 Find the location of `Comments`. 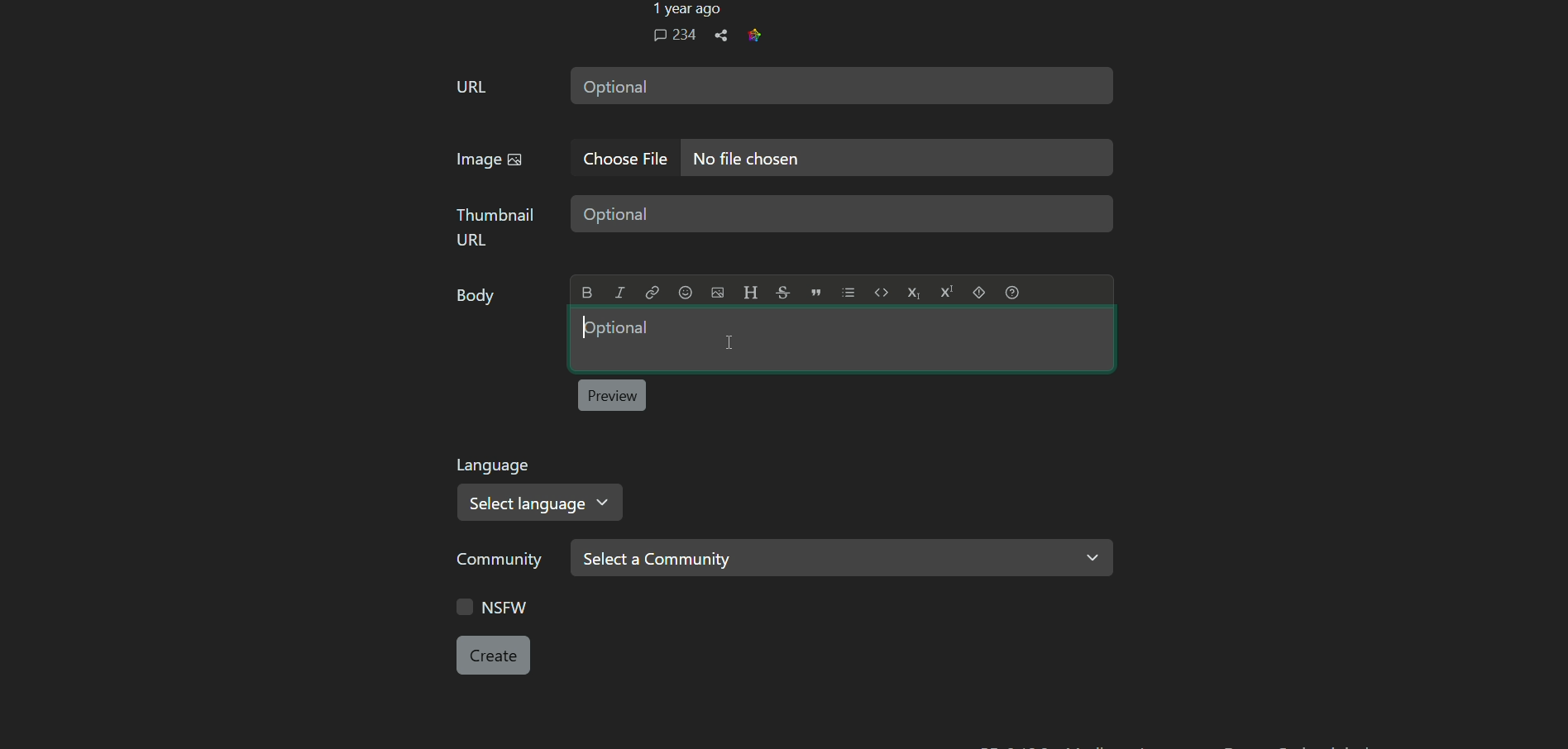

Comments is located at coordinates (674, 35).